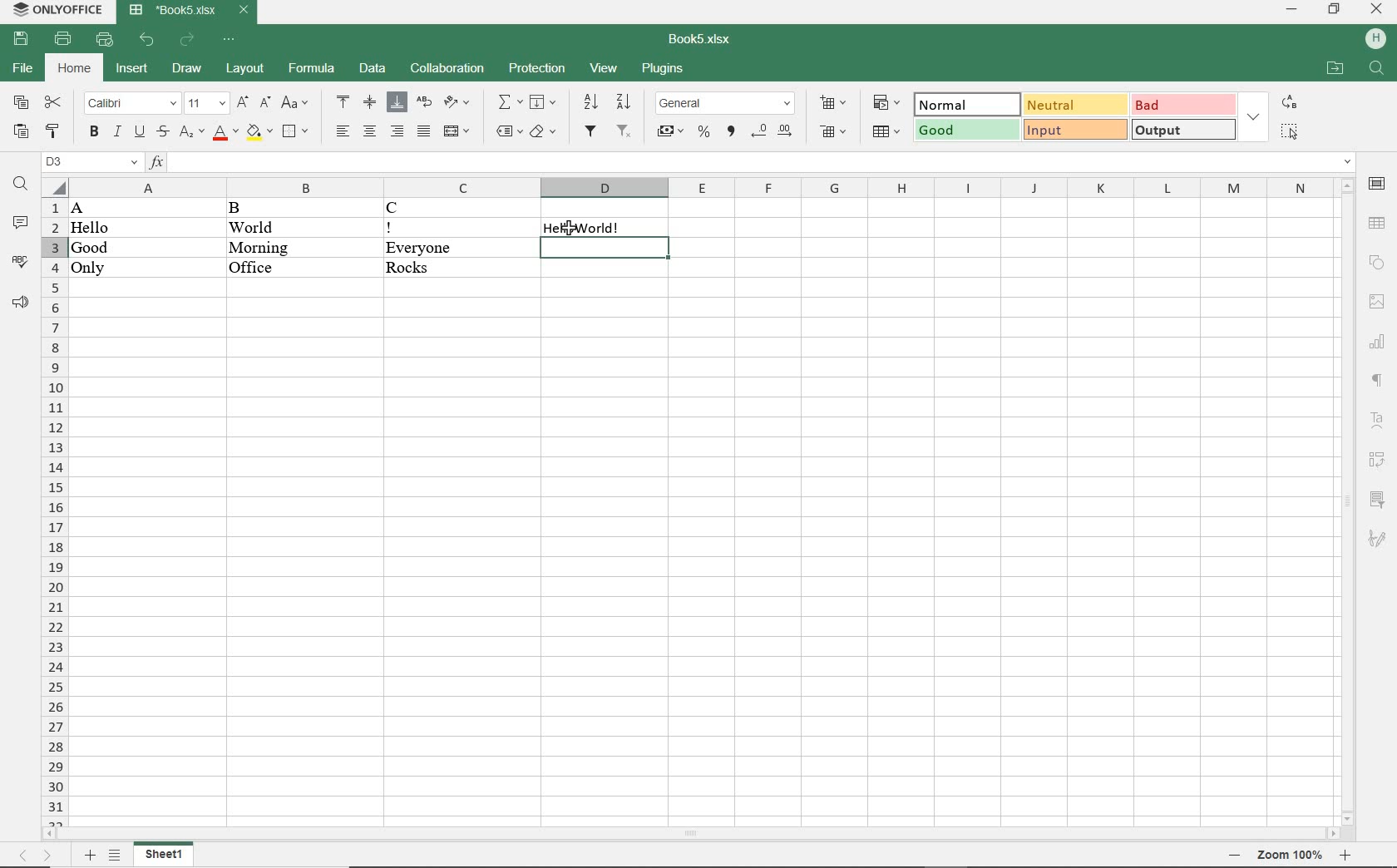 The image size is (1397, 868). I want to click on EXPAND, so click(1256, 117).